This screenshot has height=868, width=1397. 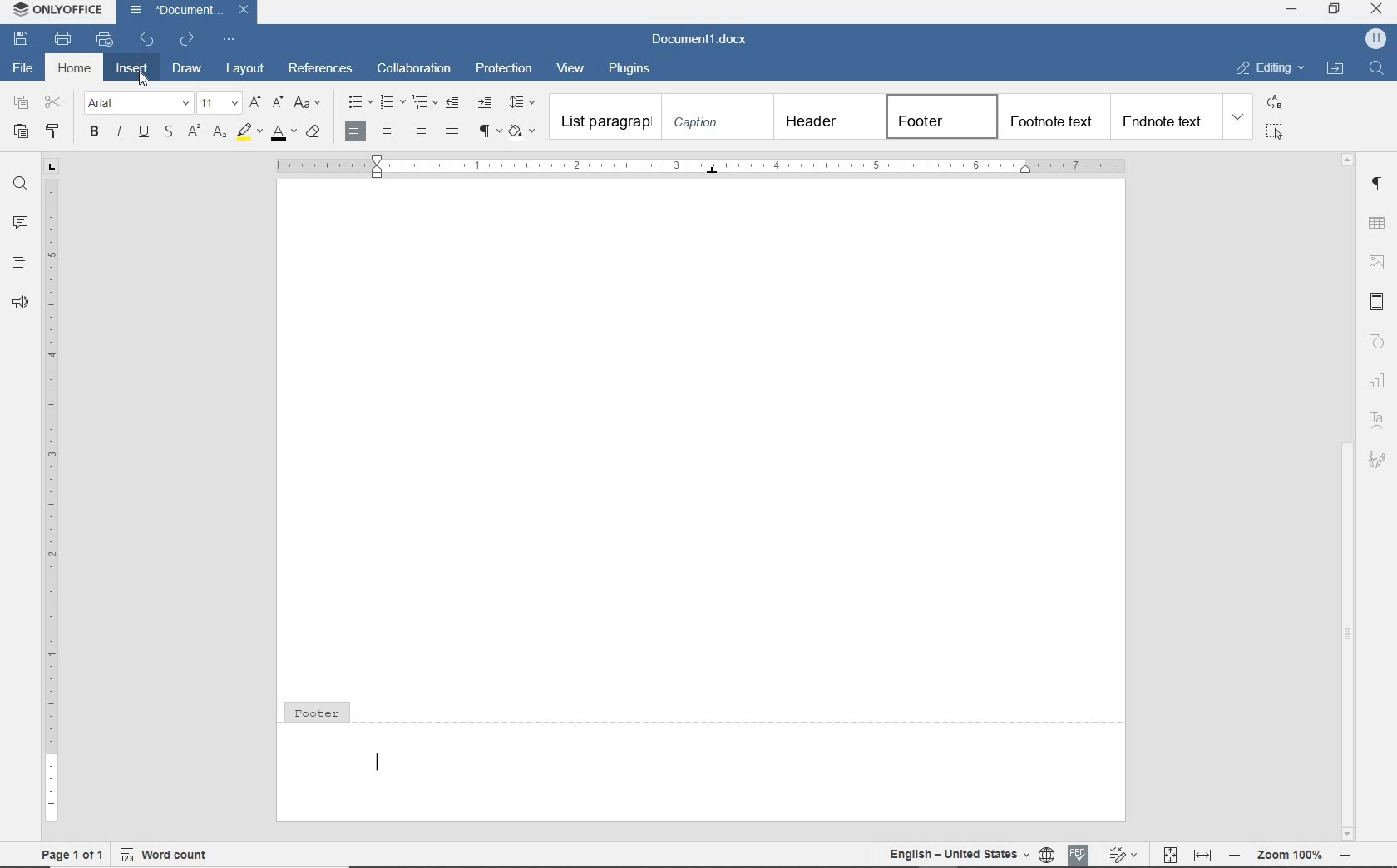 I want to click on Cursor, so click(x=141, y=73).